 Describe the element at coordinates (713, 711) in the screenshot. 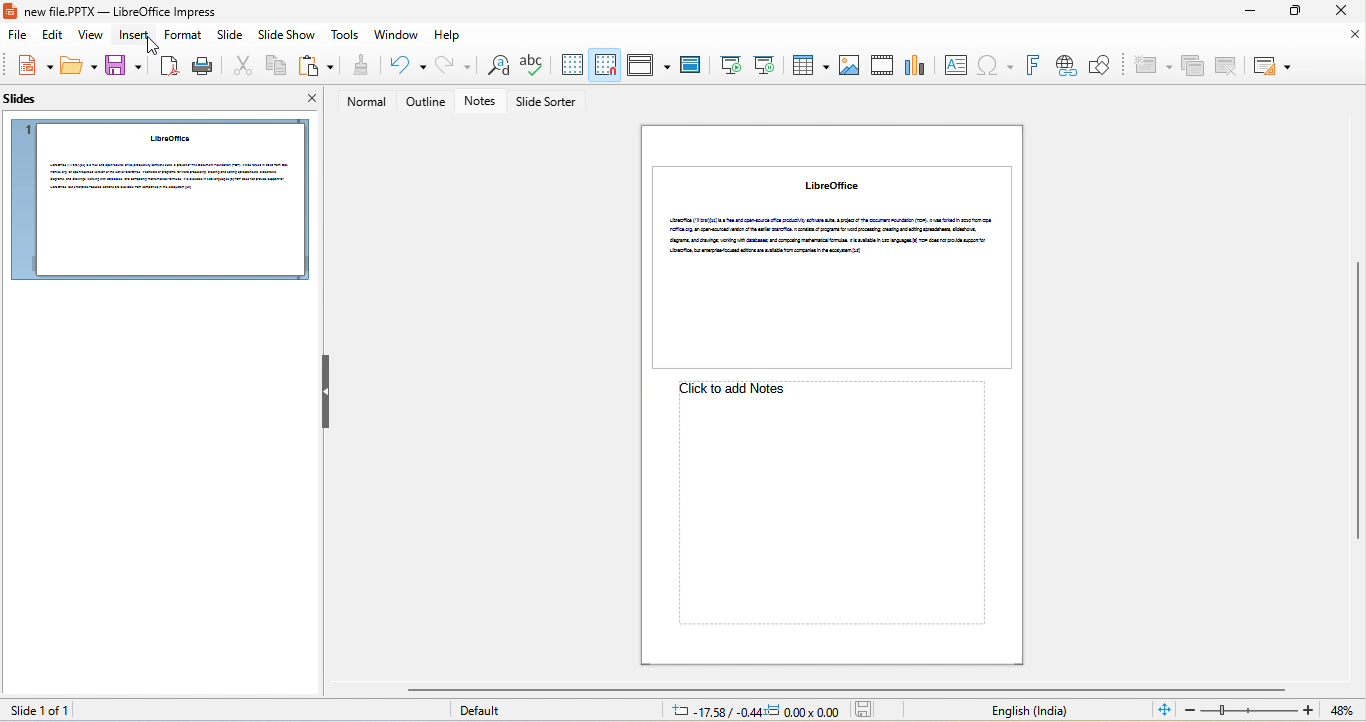

I see `cursor location: -17.58/-0.44` at that location.